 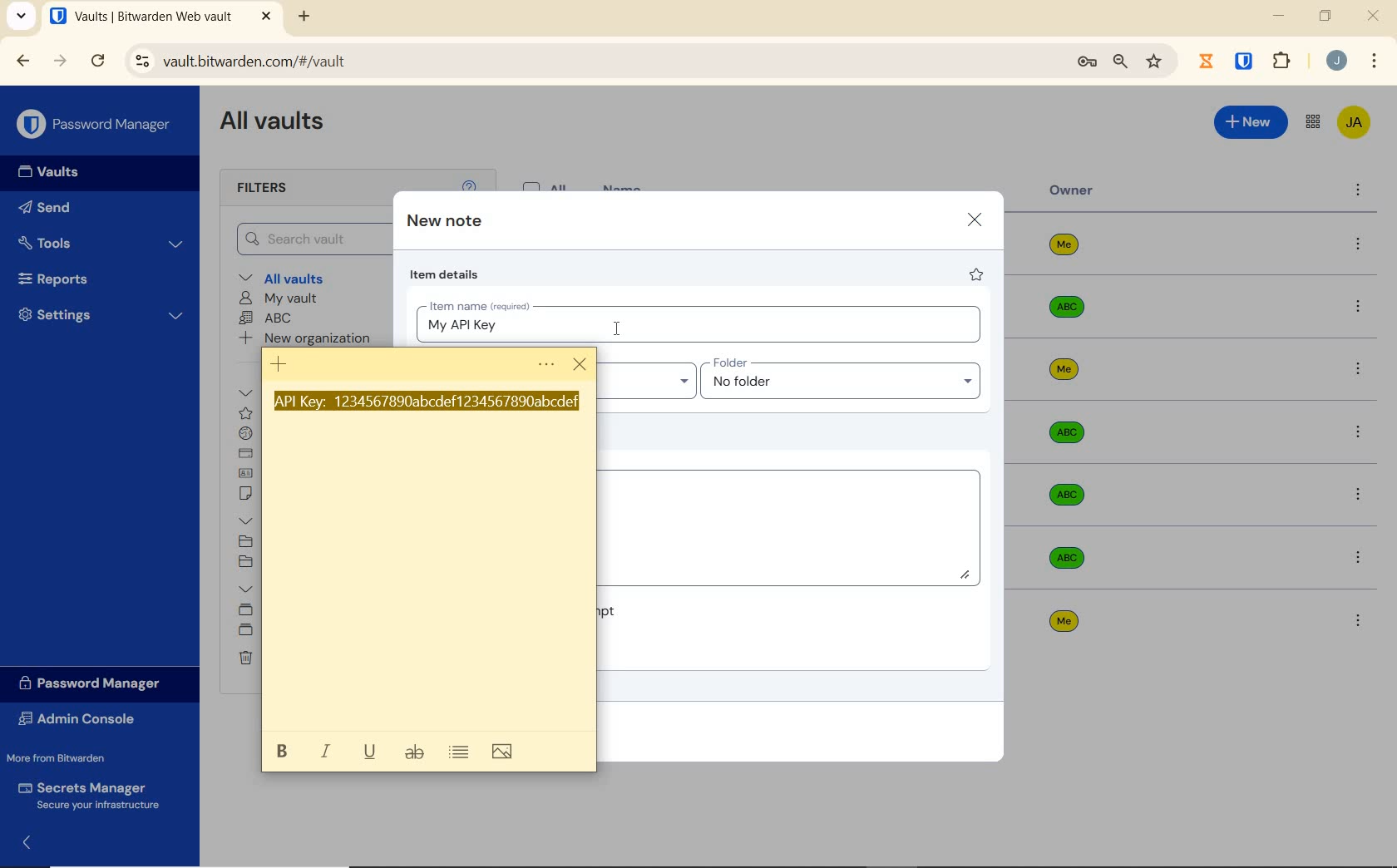 I want to click on more options, so click(x=1360, y=556).